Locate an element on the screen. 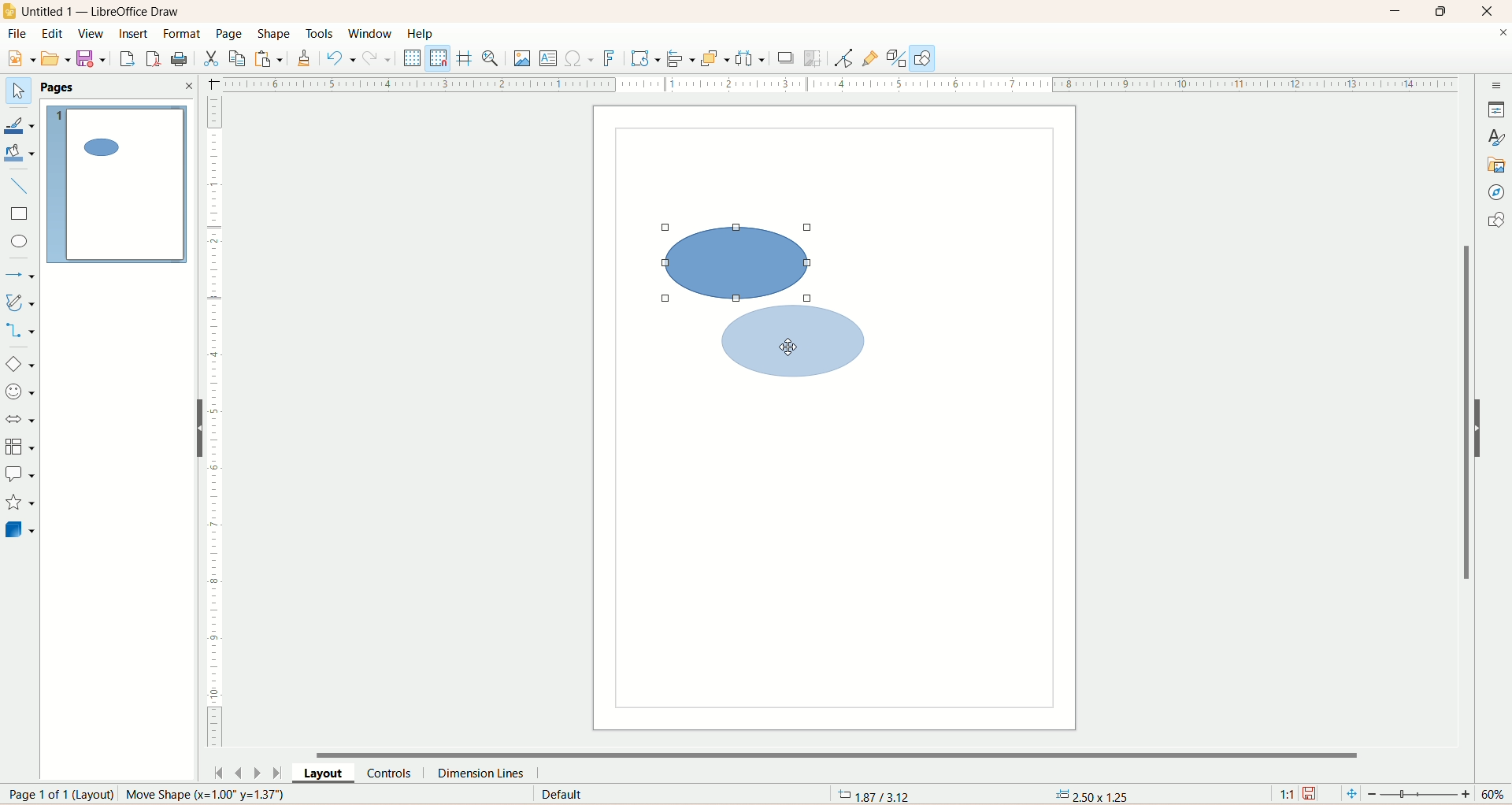 The width and height of the screenshot is (1512, 805). gluepoint function is located at coordinates (873, 58).